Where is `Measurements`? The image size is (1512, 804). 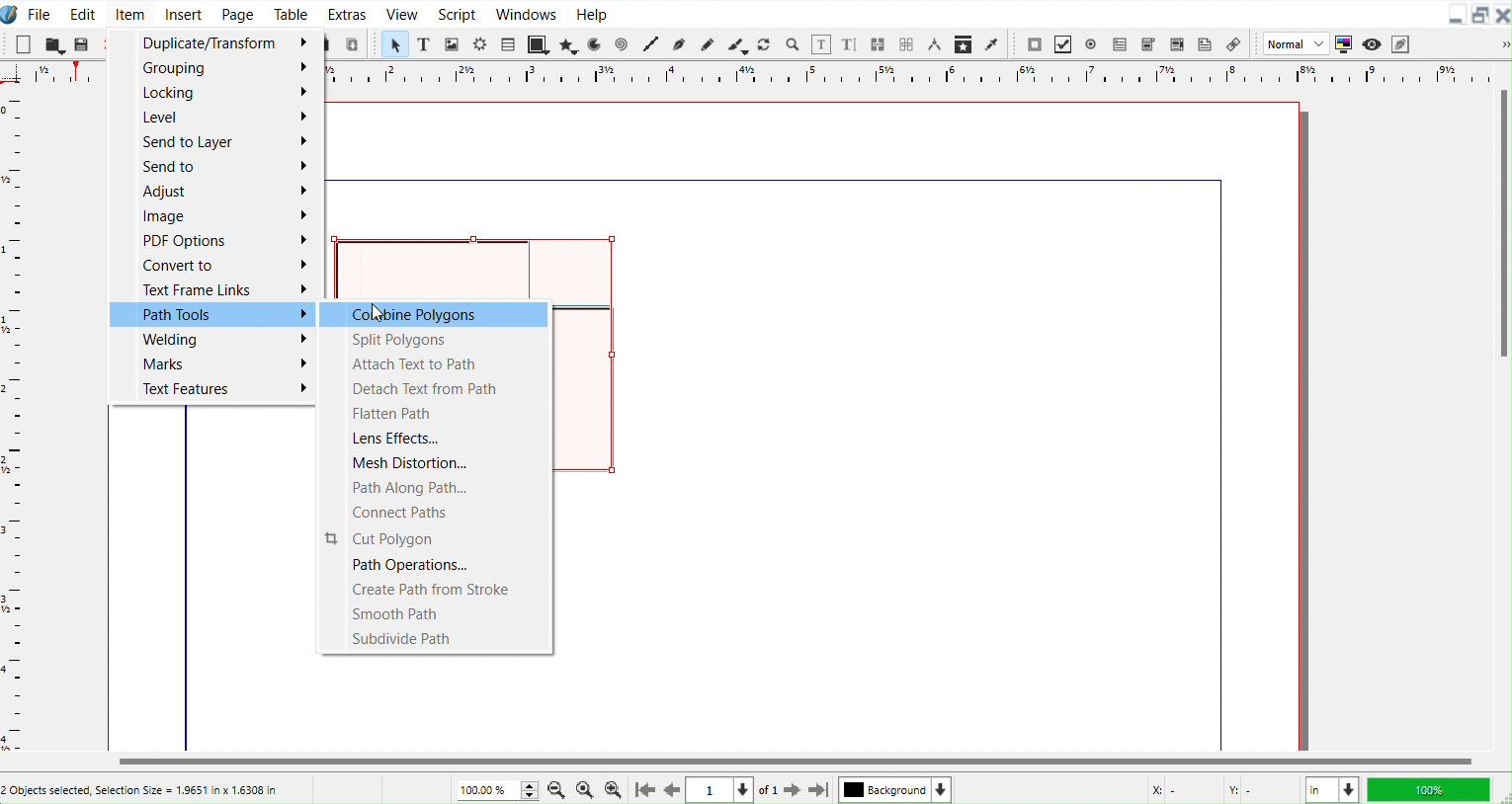
Measurements is located at coordinates (936, 45).